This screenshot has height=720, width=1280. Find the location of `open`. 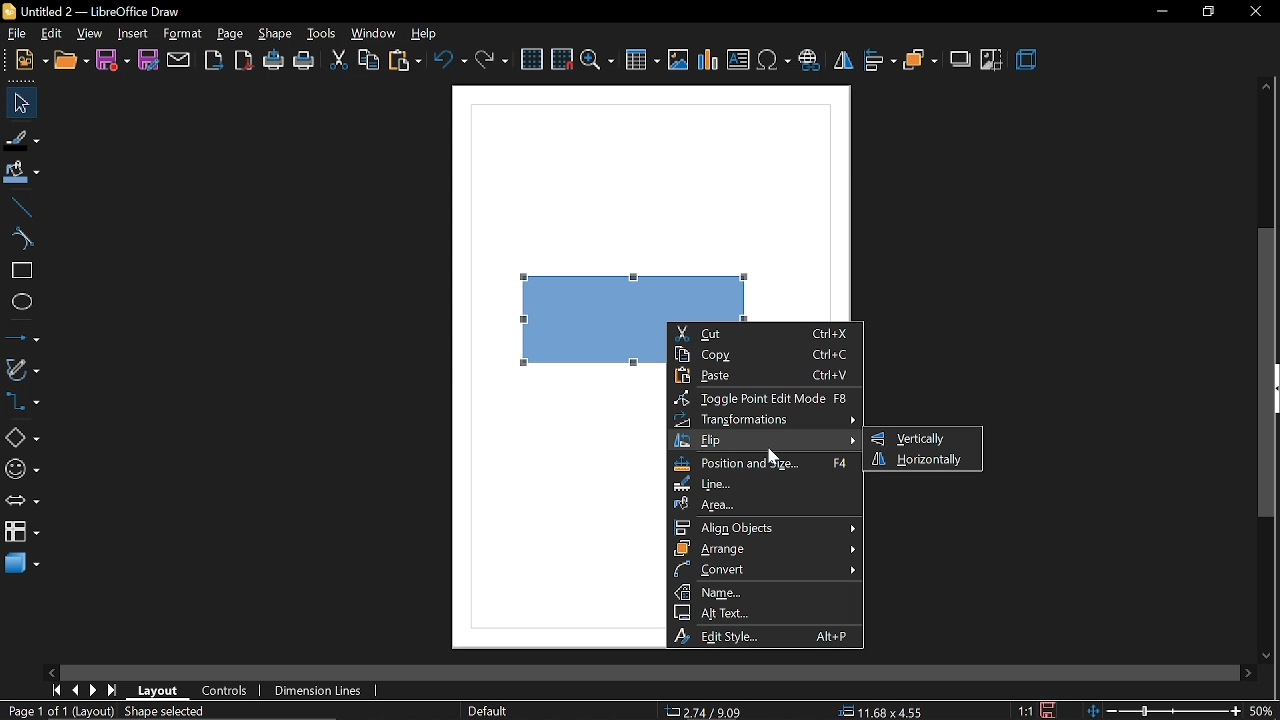

open is located at coordinates (70, 60).